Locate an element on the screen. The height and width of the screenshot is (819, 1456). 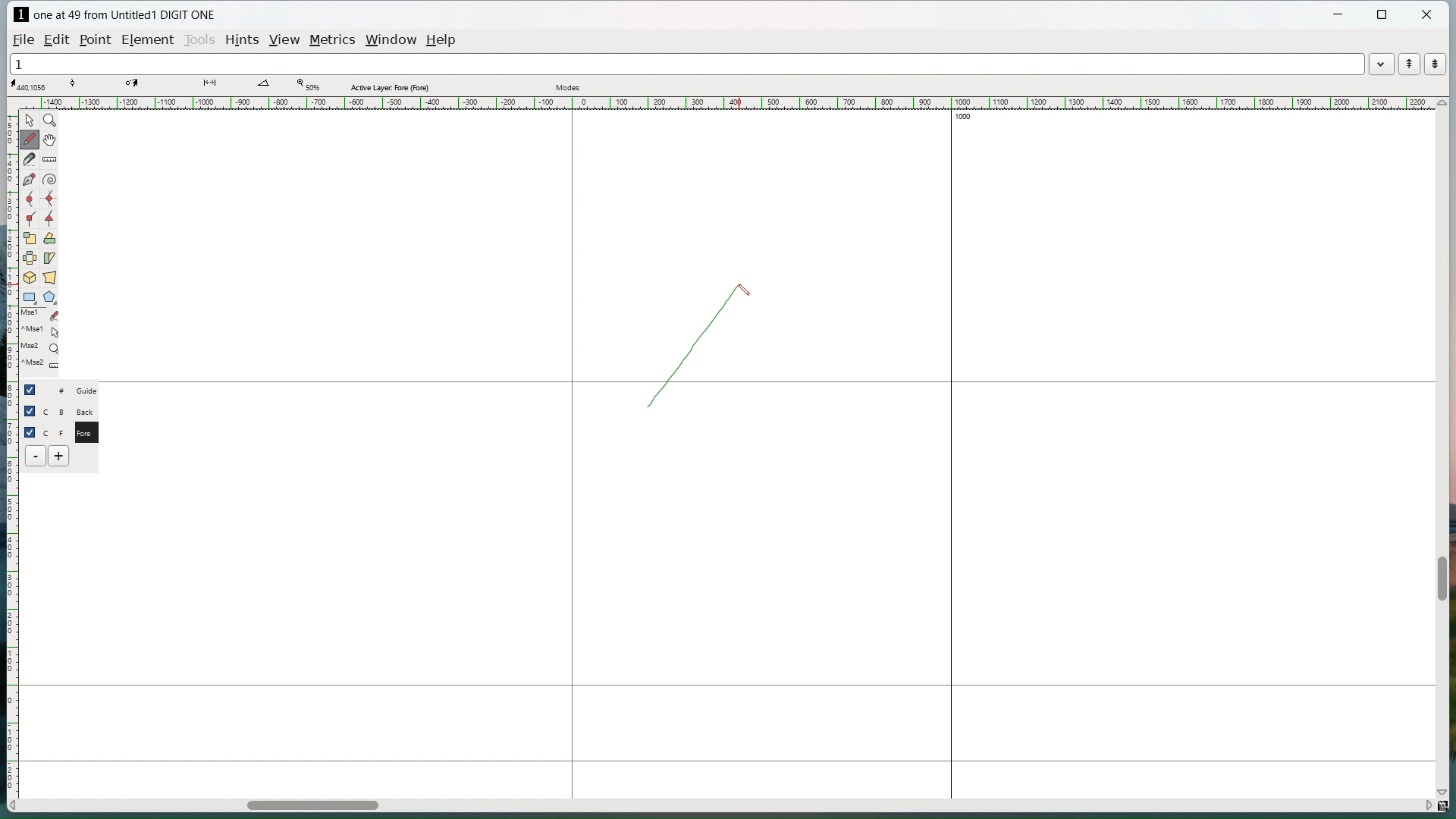
delete layer is located at coordinates (36, 456).